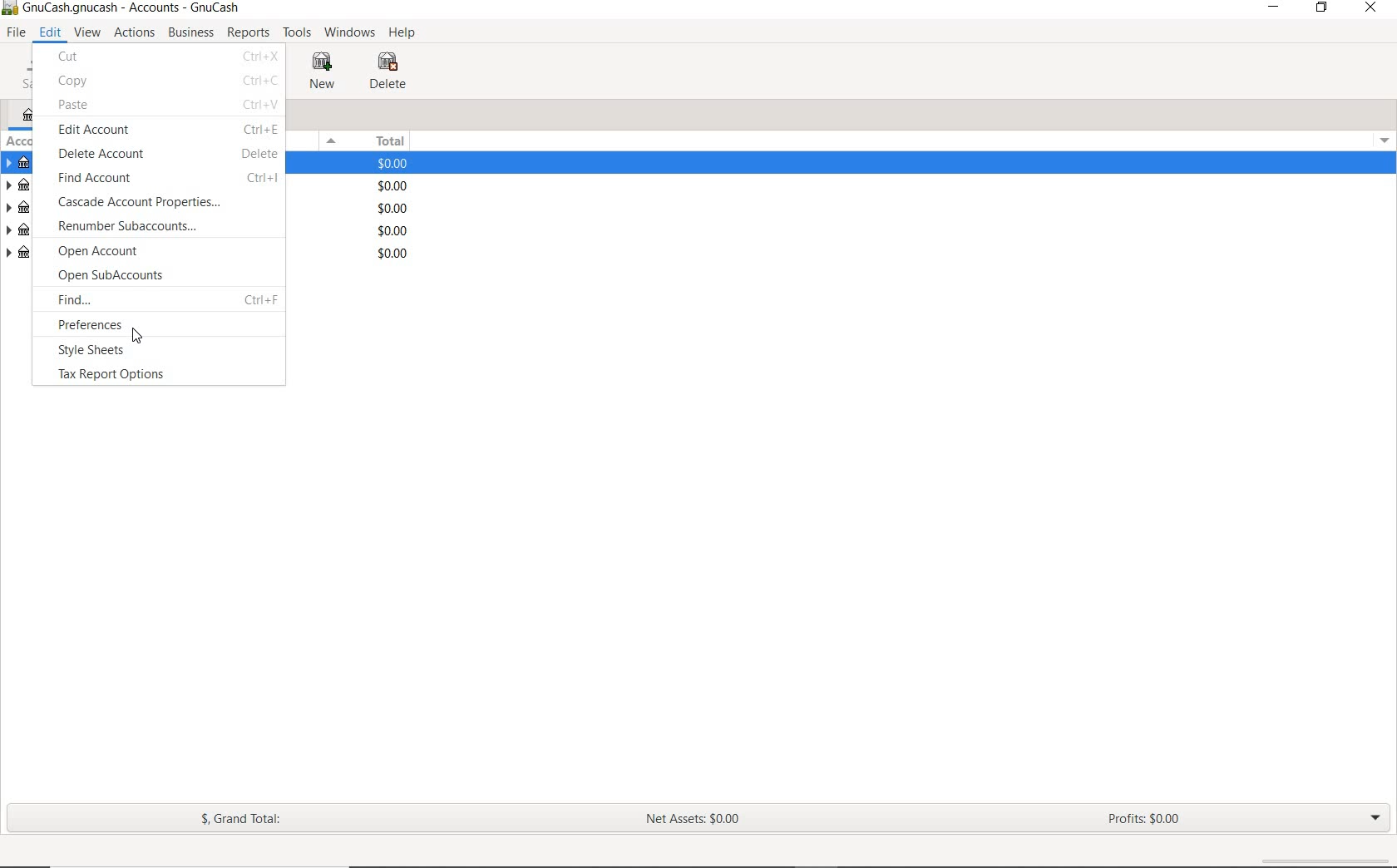 Image resolution: width=1397 pixels, height=868 pixels. Describe the element at coordinates (126, 252) in the screenshot. I see `OPEN ACCOUNT` at that location.